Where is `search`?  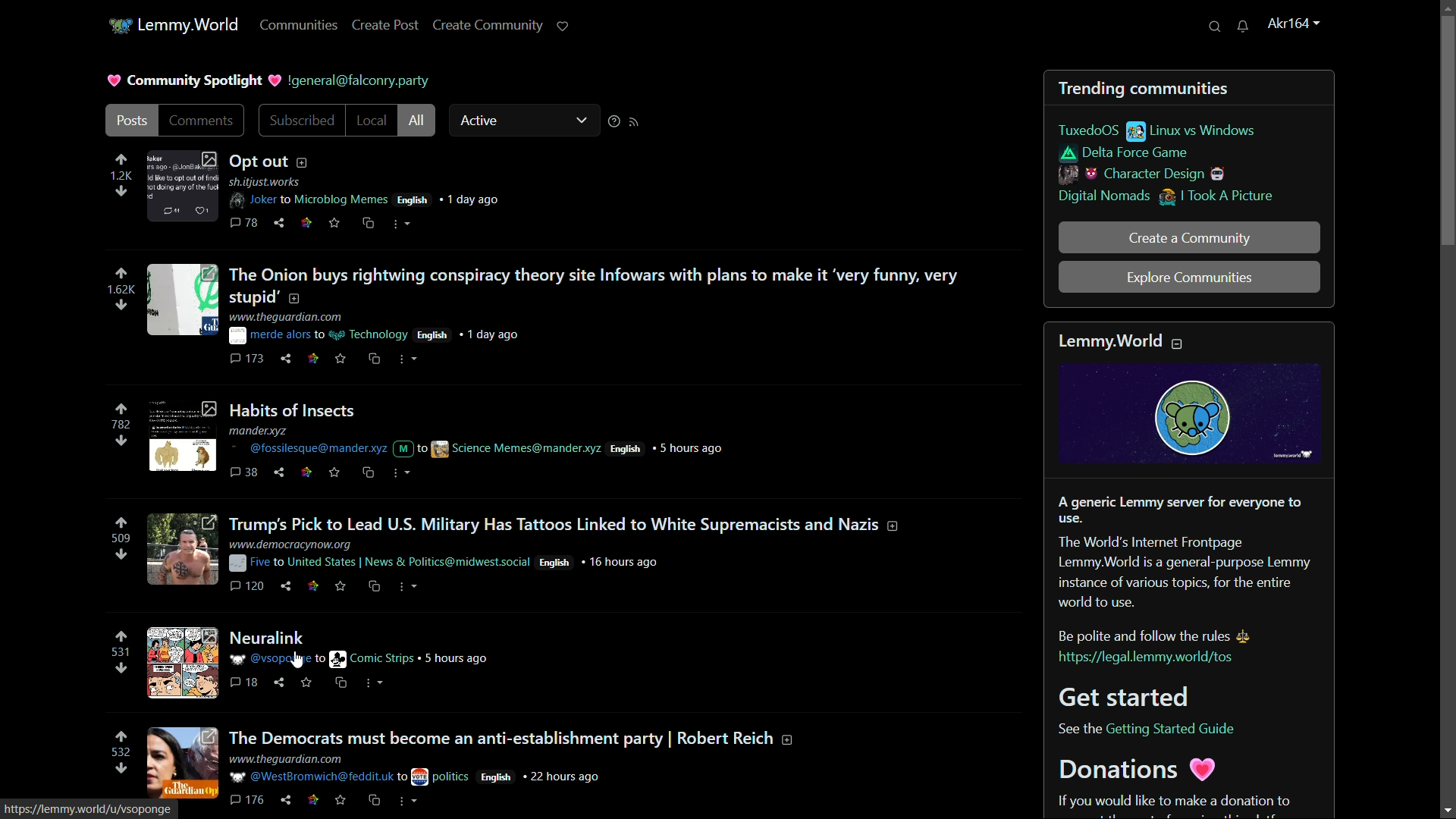 search is located at coordinates (1213, 27).